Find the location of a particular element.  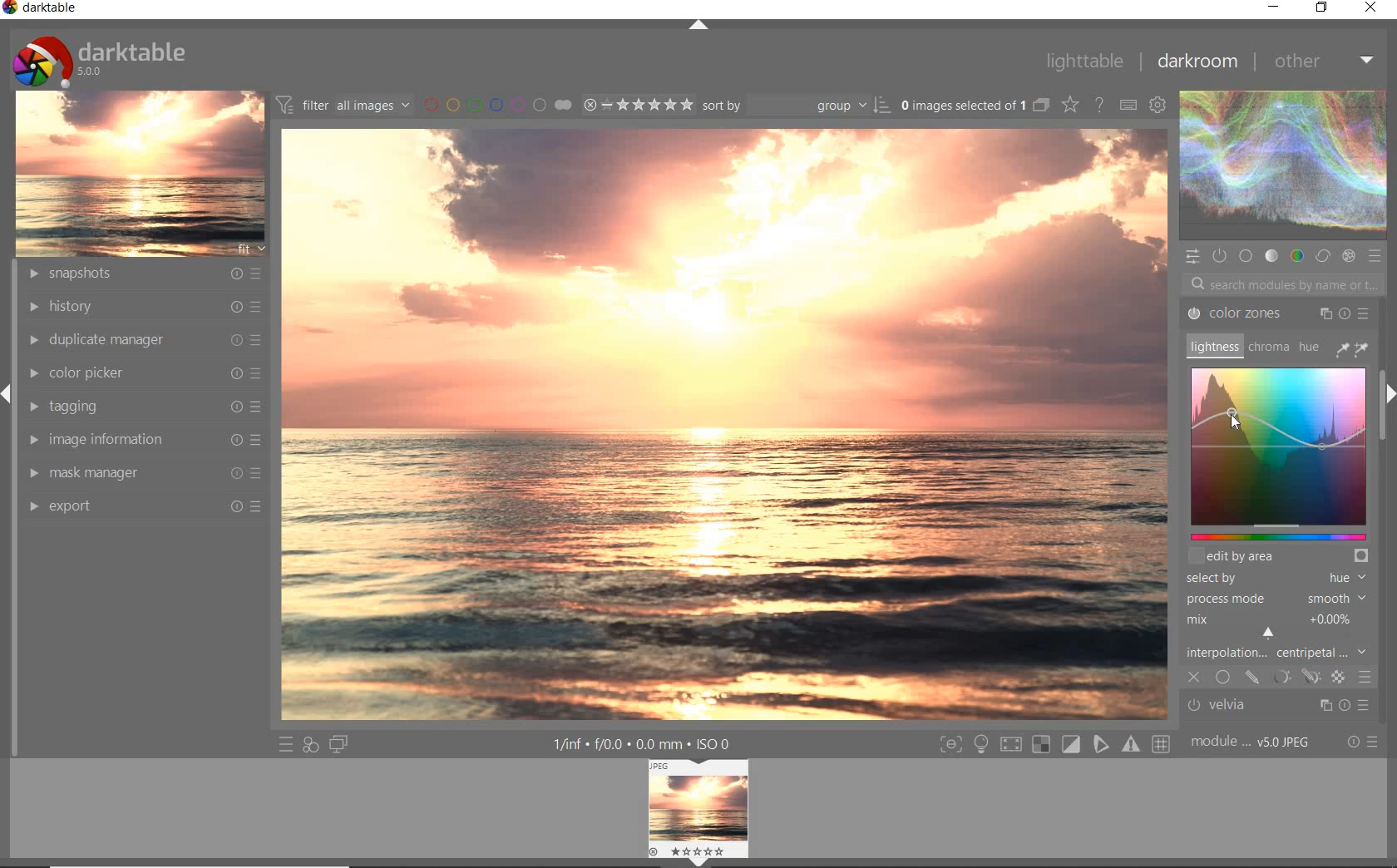

IMAGE is located at coordinates (140, 172).